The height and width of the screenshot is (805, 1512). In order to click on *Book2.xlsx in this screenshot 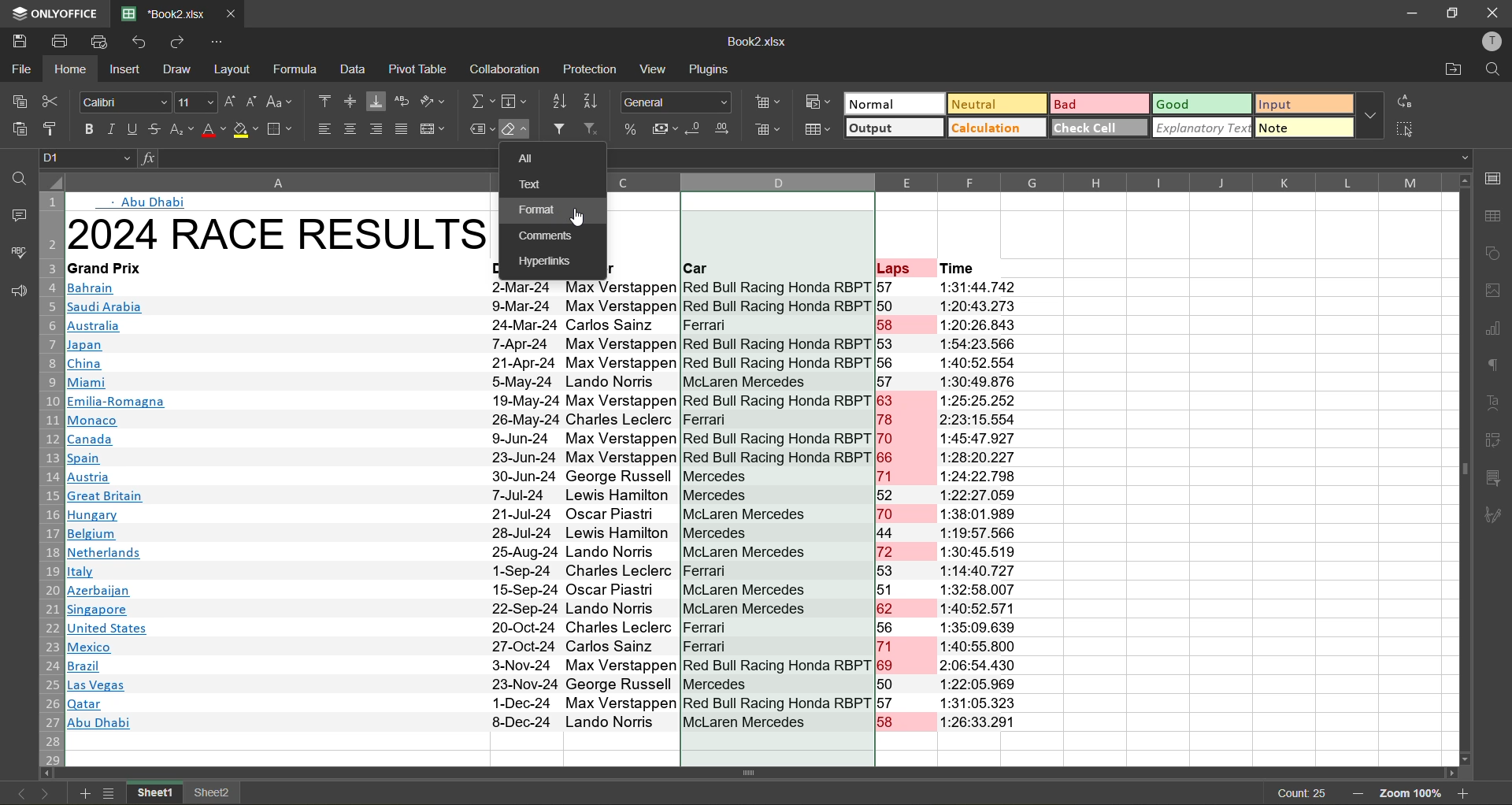, I will do `click(161, 13)`.